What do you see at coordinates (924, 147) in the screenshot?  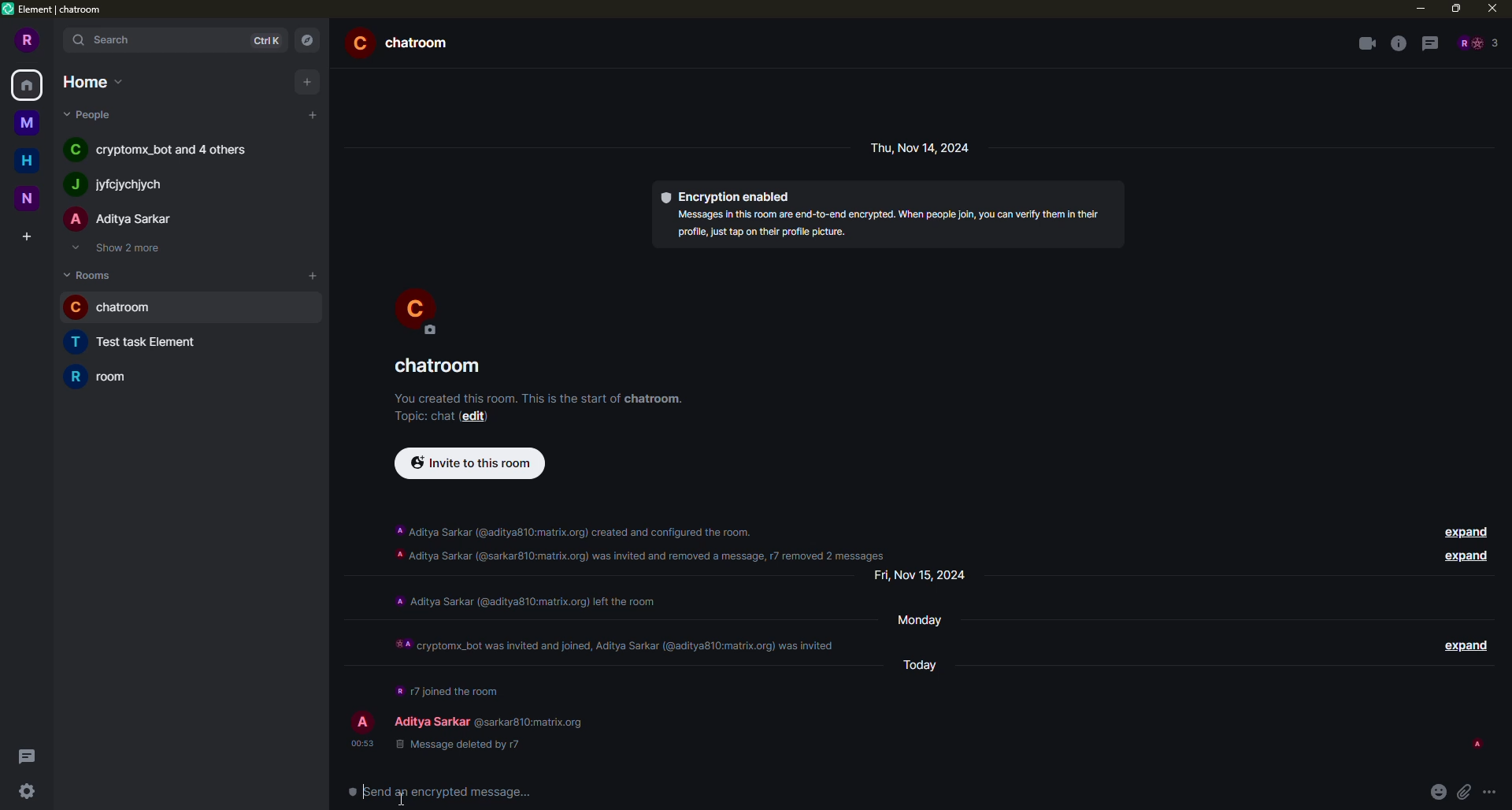 I see `day` at bounding box center [924, 147].